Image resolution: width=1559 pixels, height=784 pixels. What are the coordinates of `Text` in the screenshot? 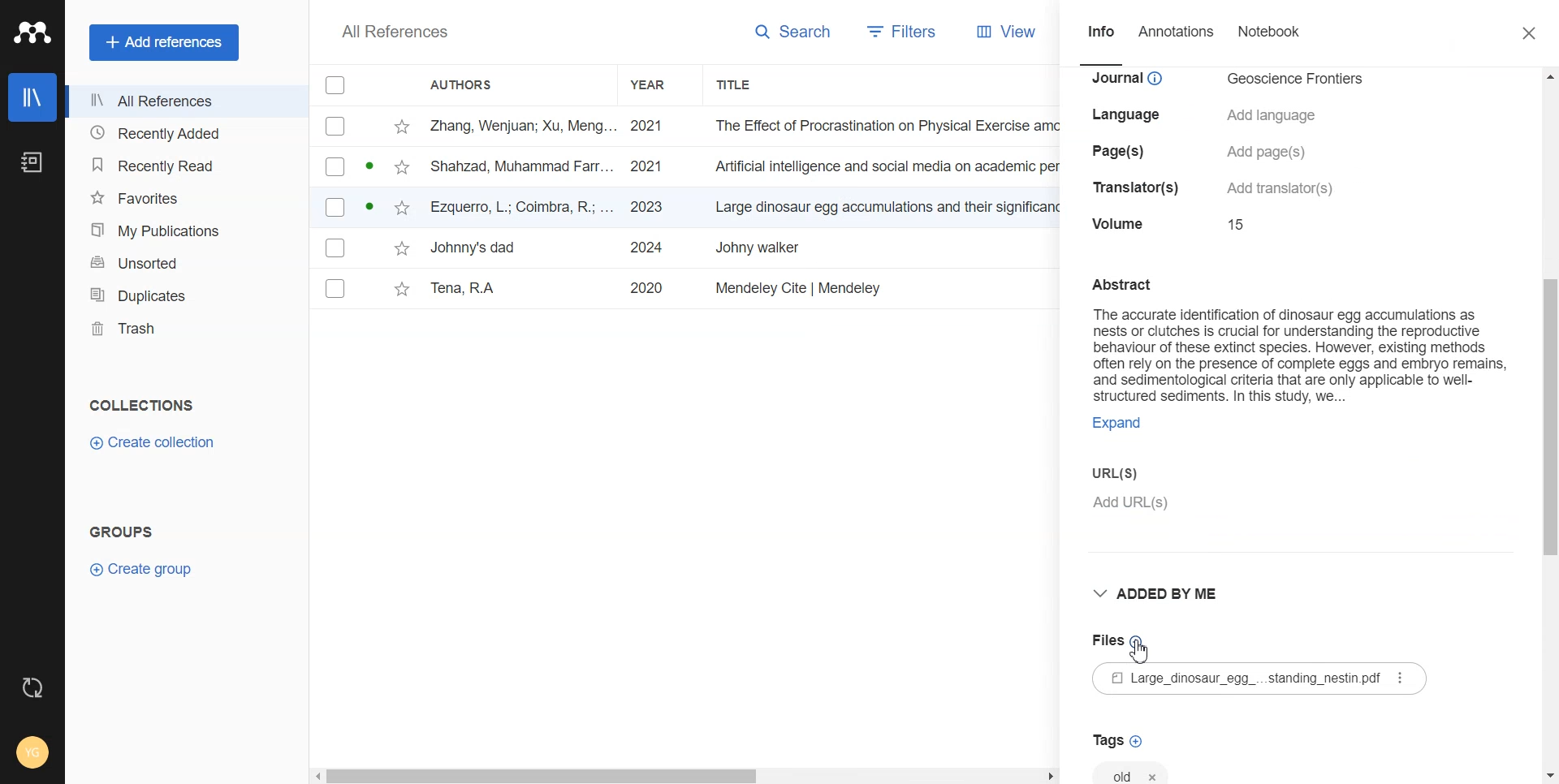 It's located at (1294, 337).